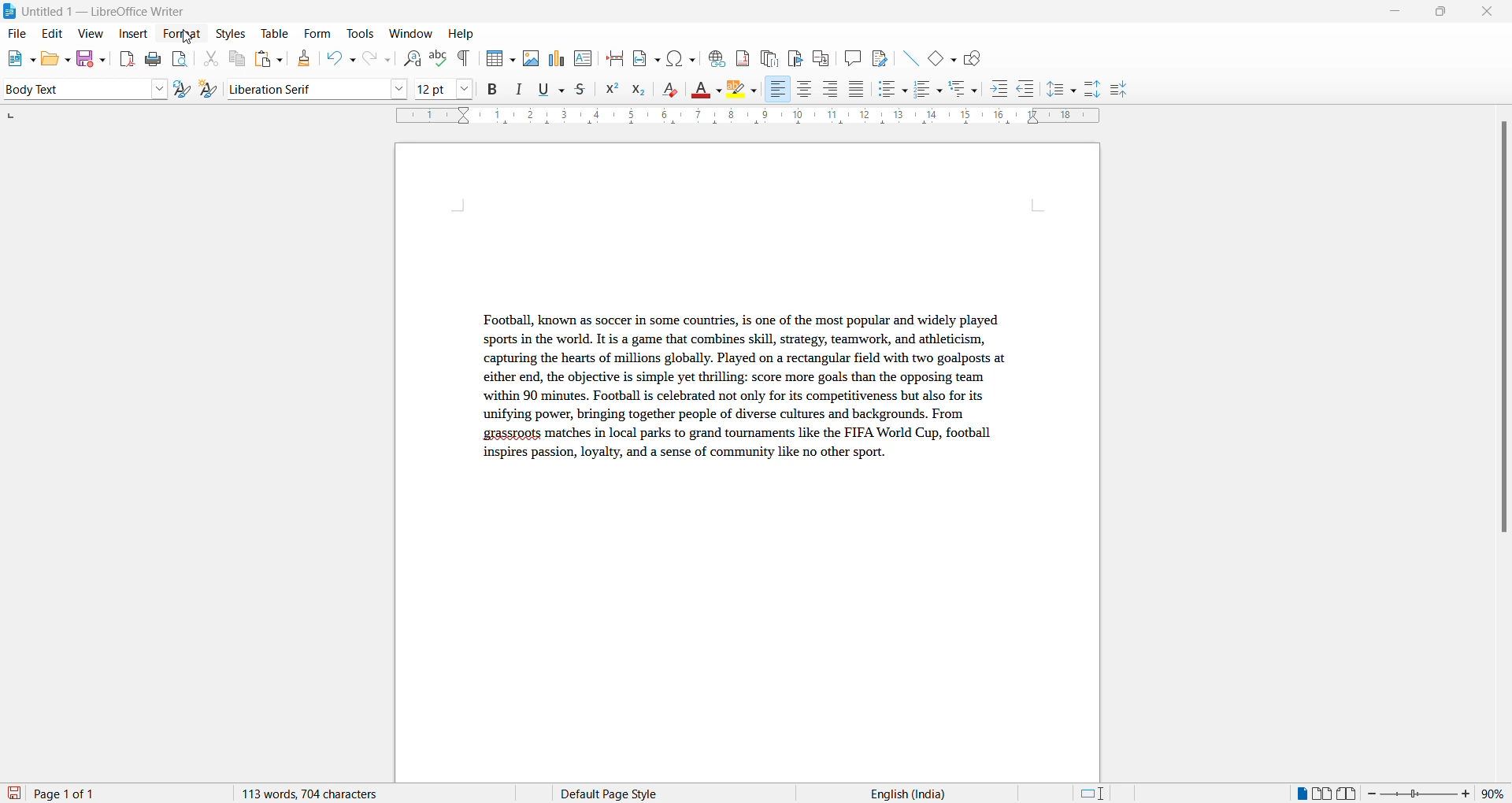 This screenshot has height=803, width=1512. Describe the element at coordinates (266, 60) in the screenshot. I see `paste` at that location.